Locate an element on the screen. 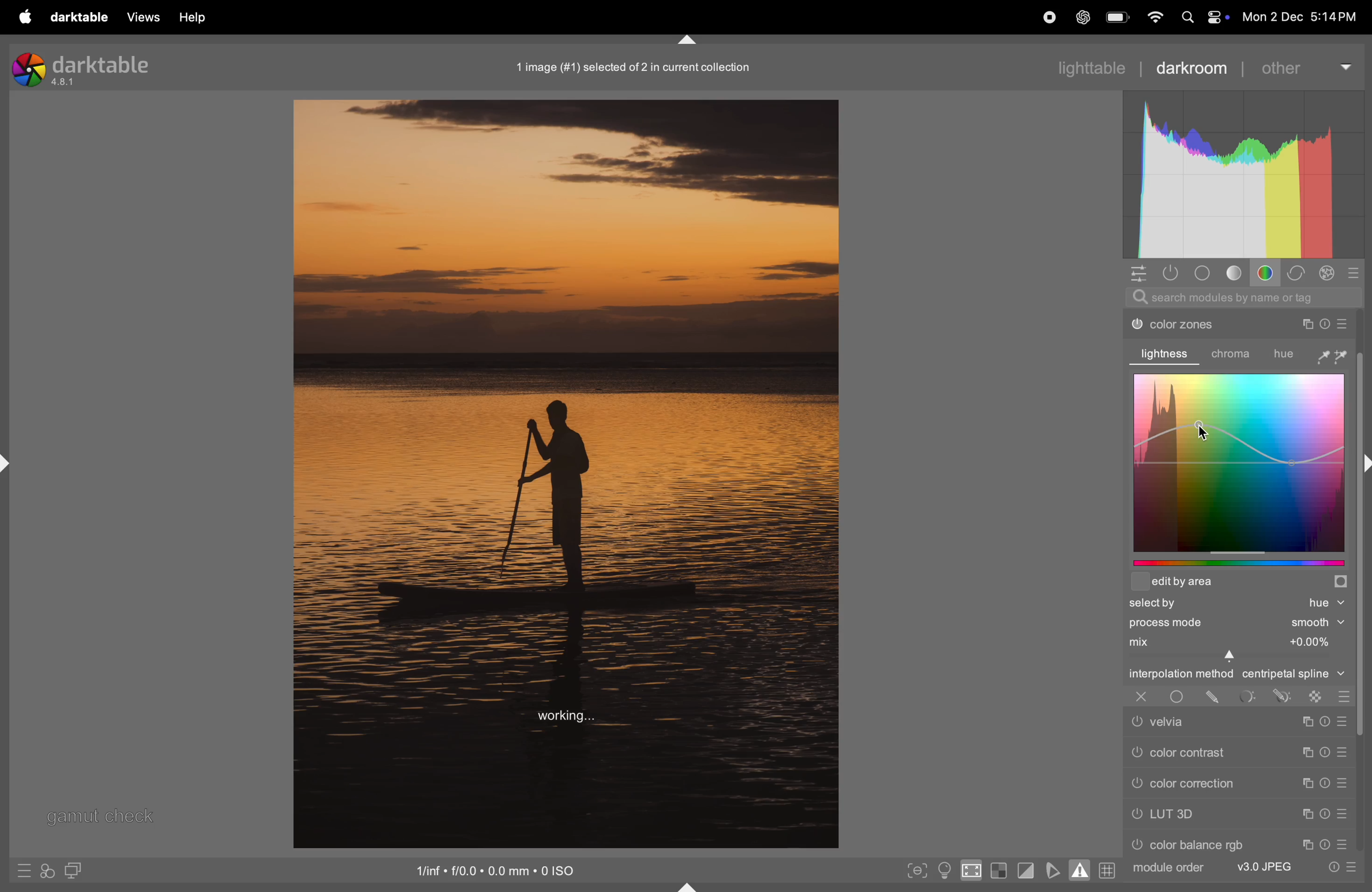  color zones is located at coordinates (1203, 324).